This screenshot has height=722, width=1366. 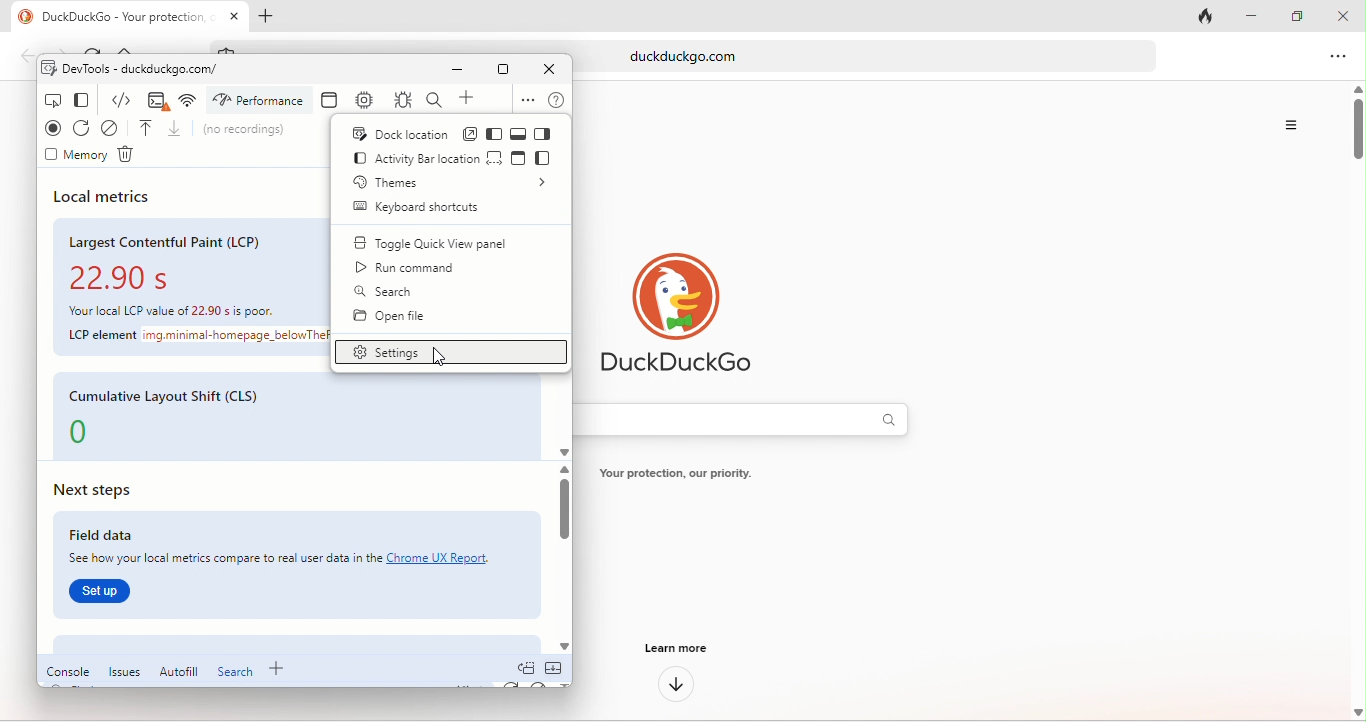 What do you see at coordinates (148, 70) in the screenshot?
I see `dev tools-duckduckgo.com/` at bounding box center [148, 70].